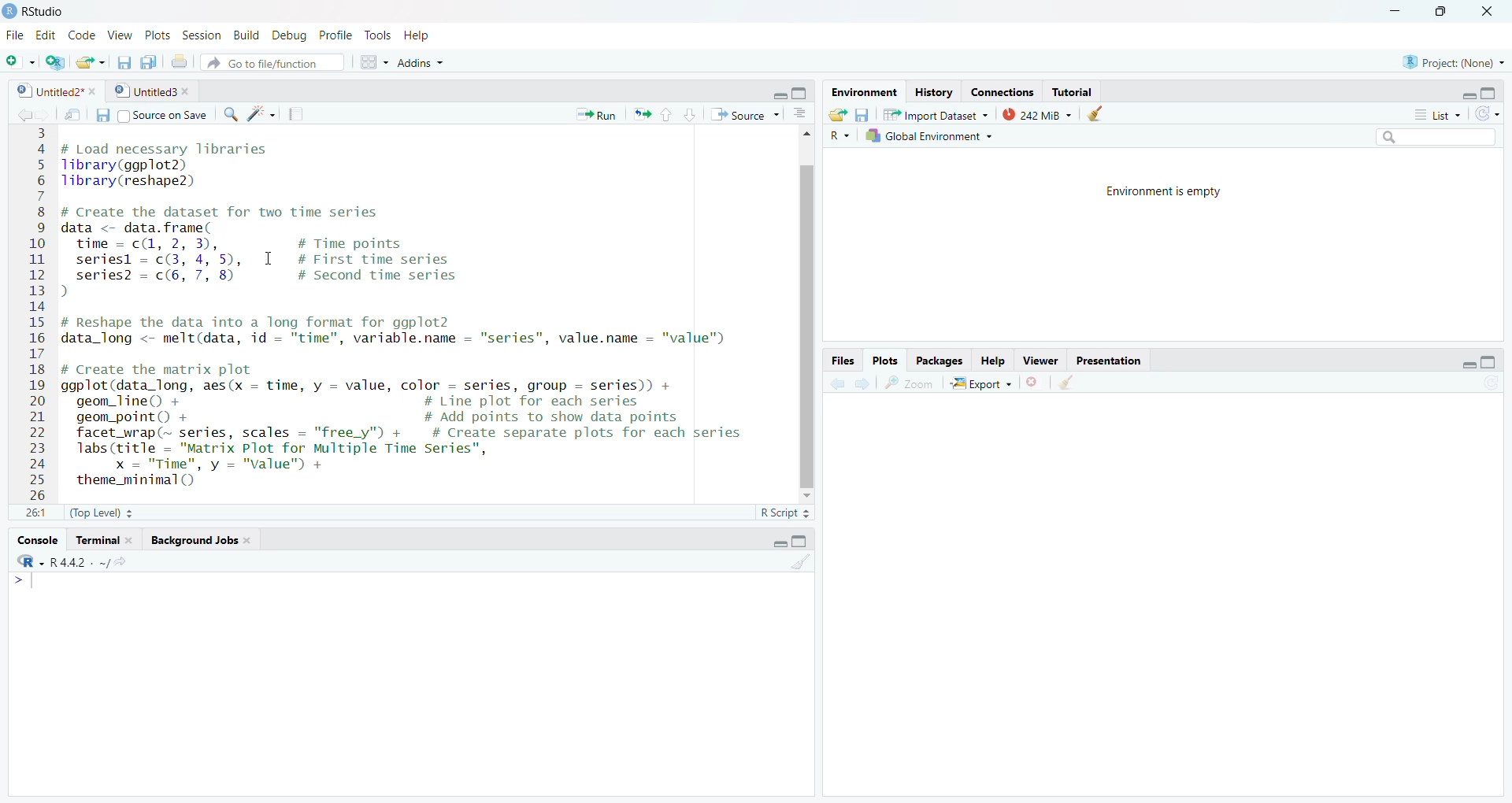 This screenshot has height=803, width=1512. Describe the element at coordinates (1468, 364) in the screenshot. I see `minimize` at that location.